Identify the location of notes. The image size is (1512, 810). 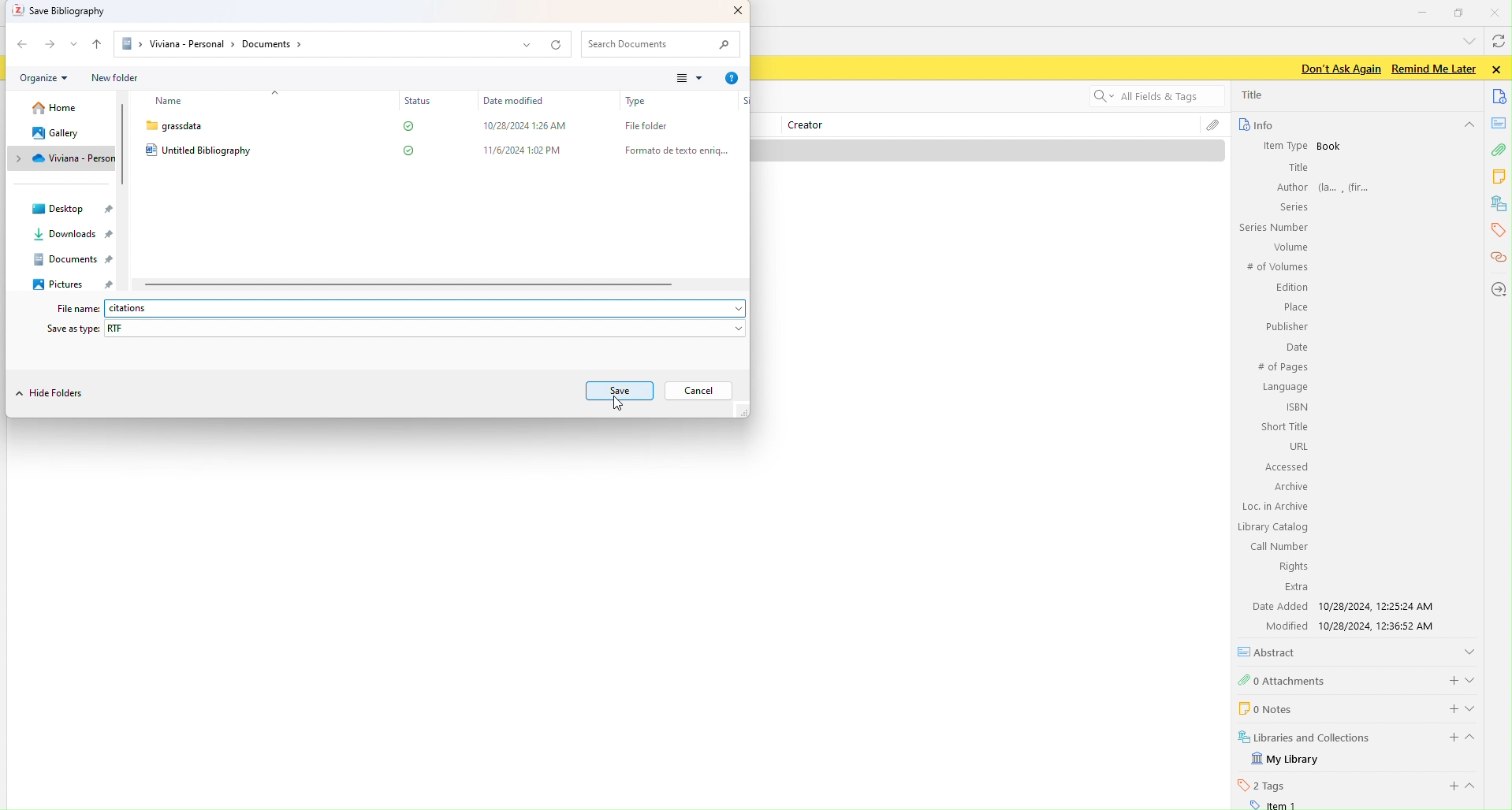
(1500, 123).